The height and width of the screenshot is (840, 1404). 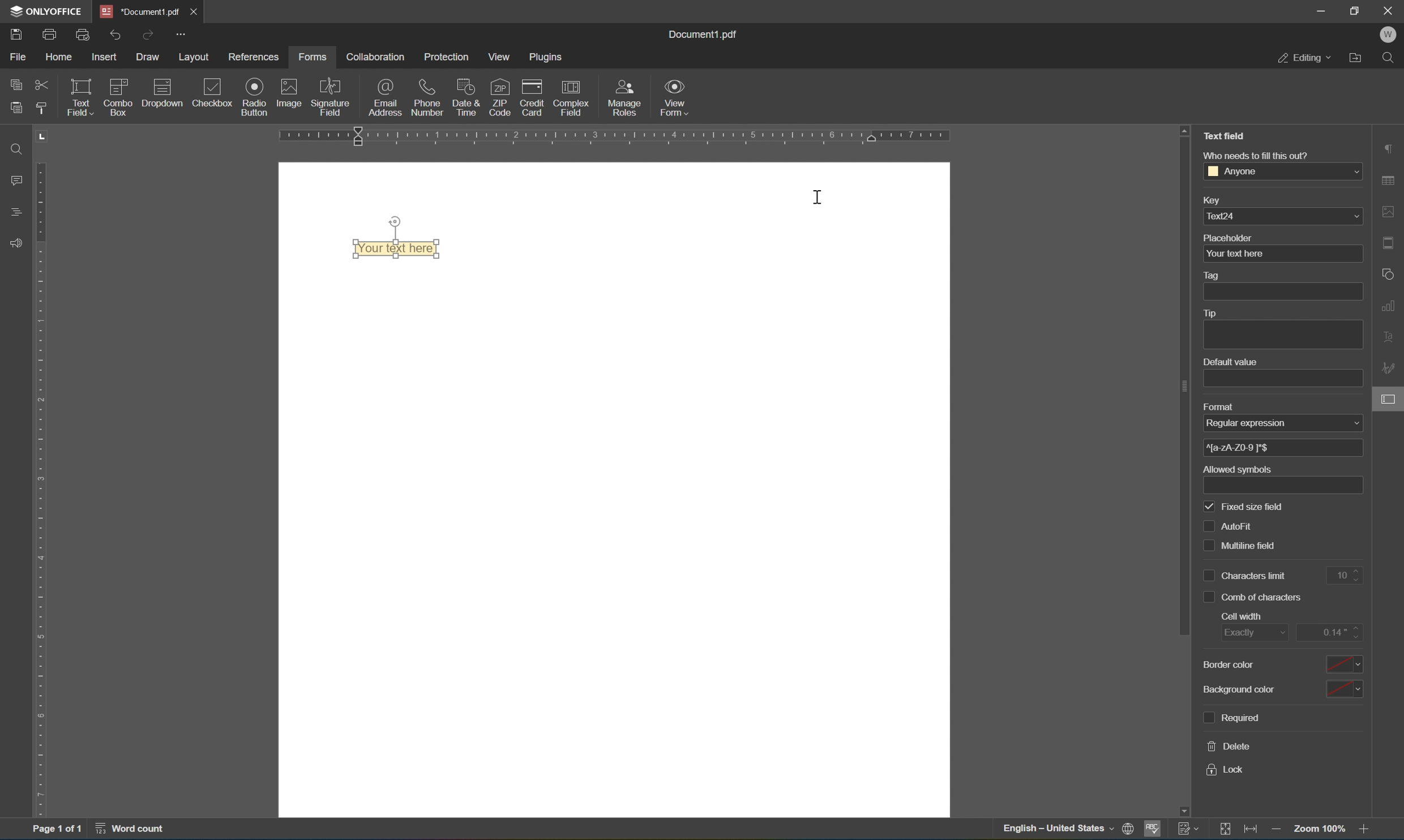 What do you see at coordinates (1390, 303) in the screenshot?
I see `chart settings` at bounding box center [1390, 303].